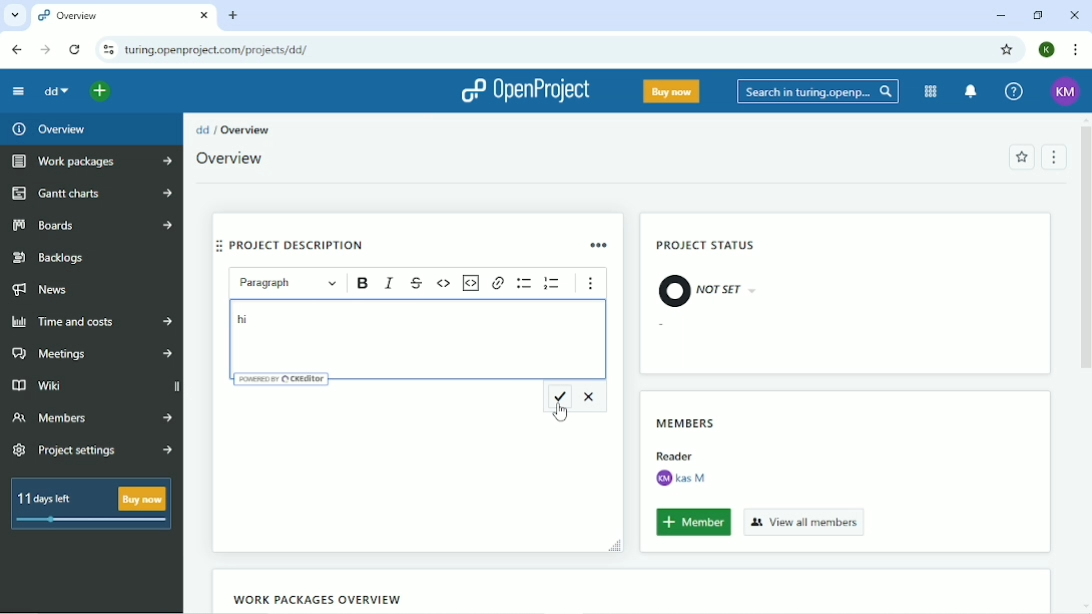 This screenshot has width=1092, height=614. I want to click on Boards, so click(92, 225).